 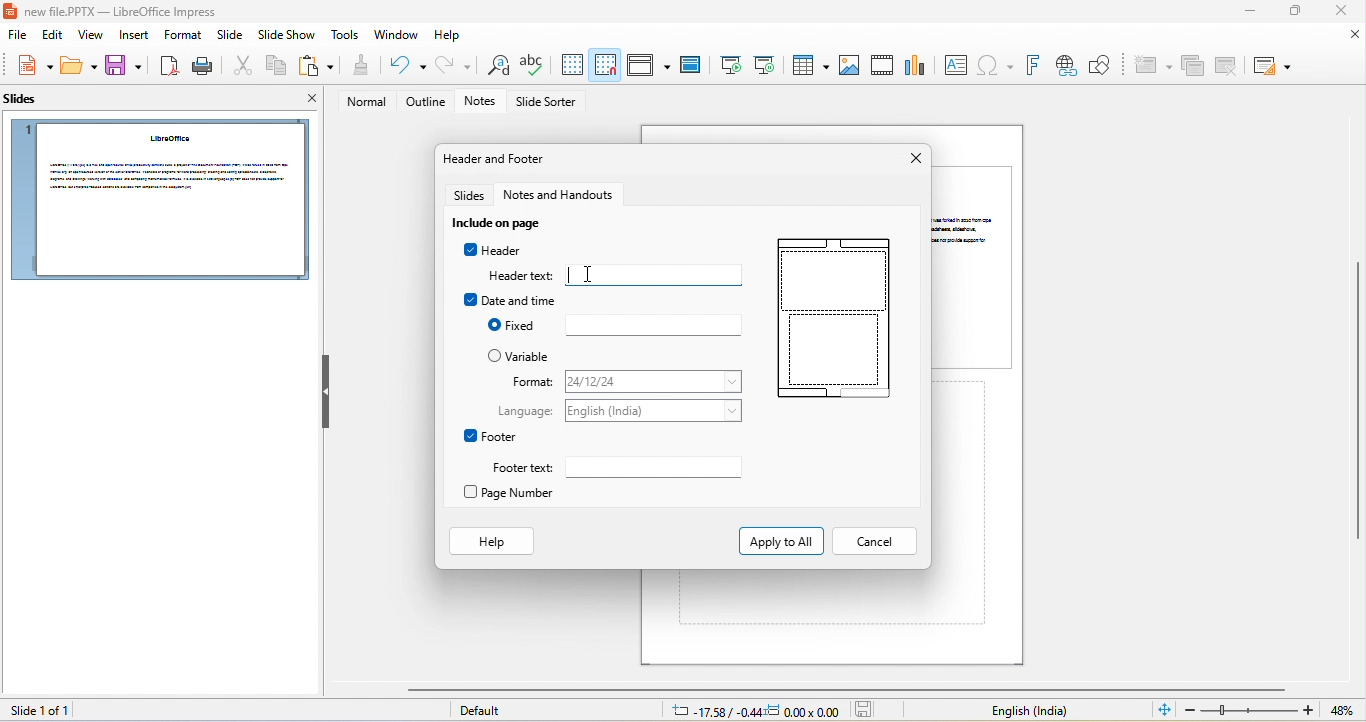 I want to click on audio/video, so click(x=884, y=65).